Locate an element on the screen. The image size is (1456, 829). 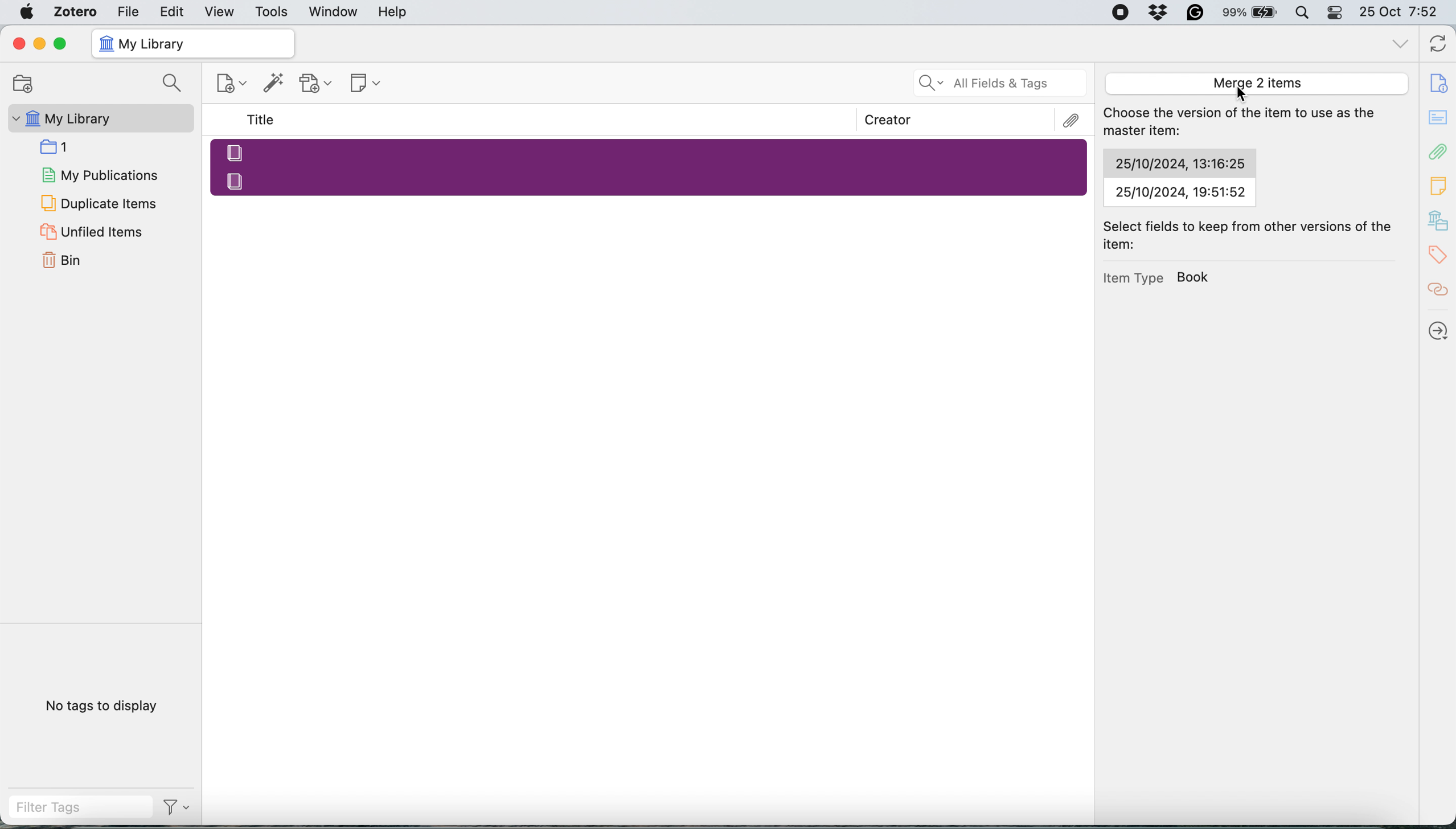
Title is located at coordinates (263, 120).